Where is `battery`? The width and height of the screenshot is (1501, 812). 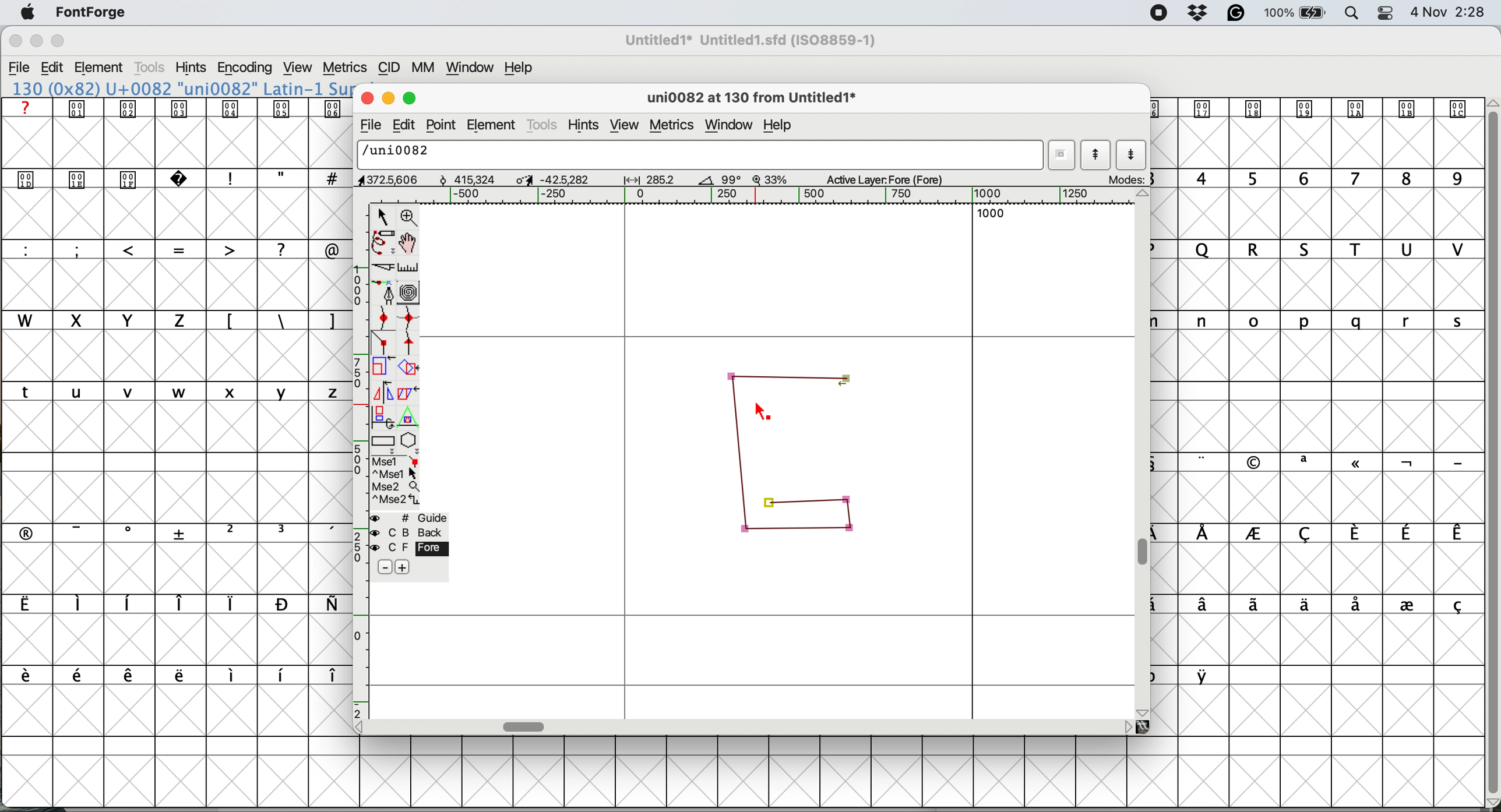 battery is located at coordinates (1294, 13).